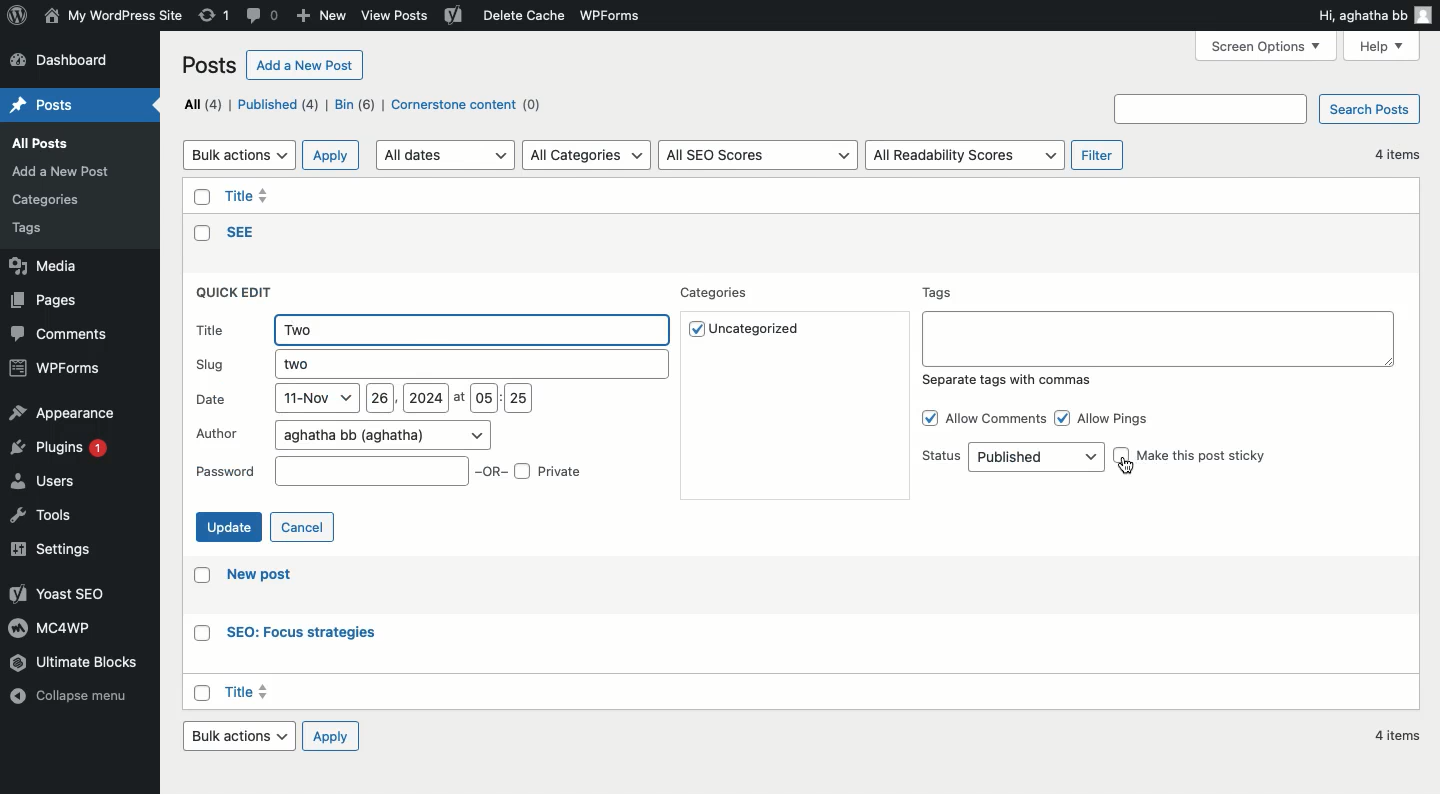 The width and height of the screenshot is (1440, 794). I want to click on Media, so click(47, 268).